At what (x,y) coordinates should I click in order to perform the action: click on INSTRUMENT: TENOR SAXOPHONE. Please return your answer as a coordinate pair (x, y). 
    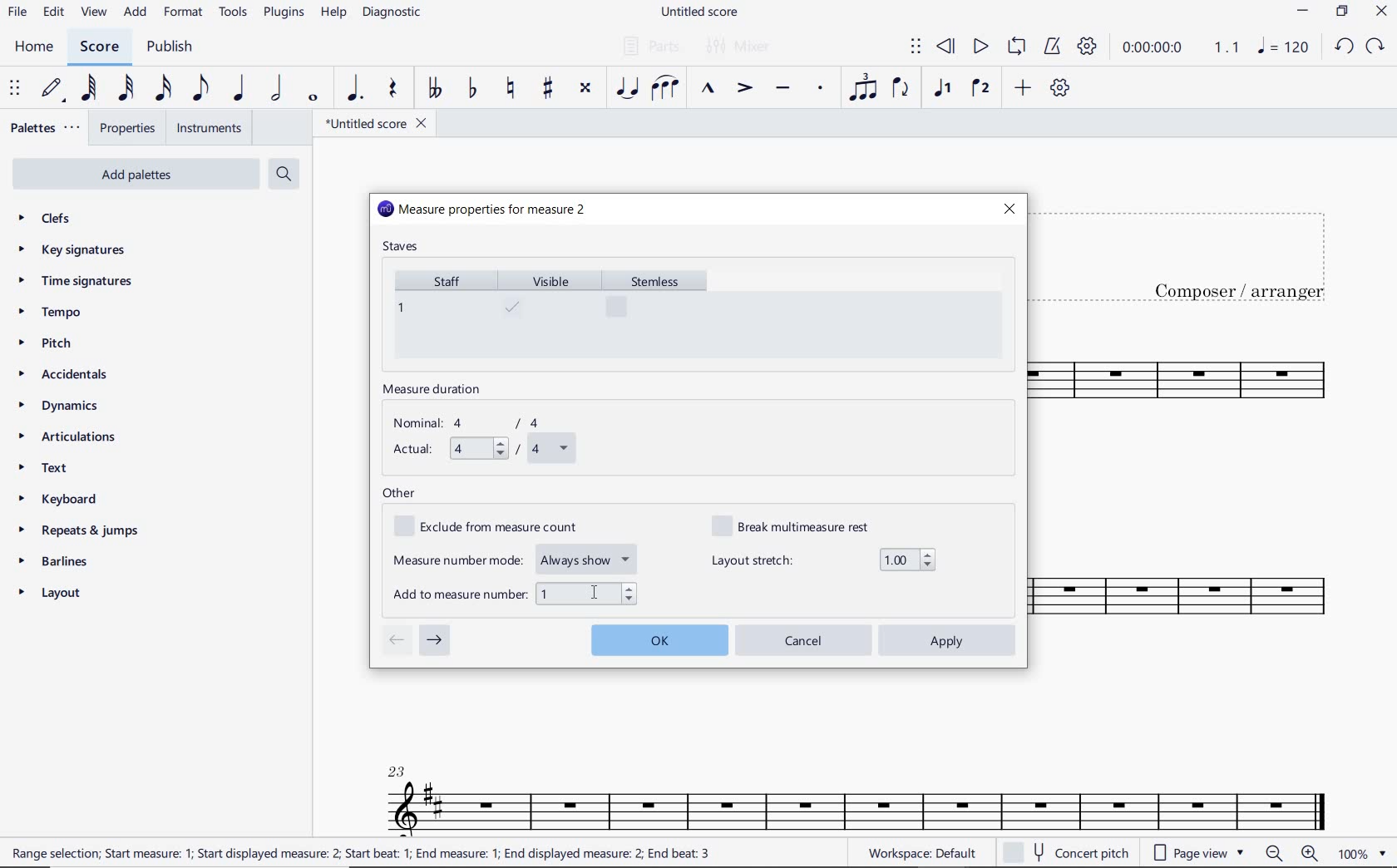
    Looking at the image, I should click on (1202, 500).